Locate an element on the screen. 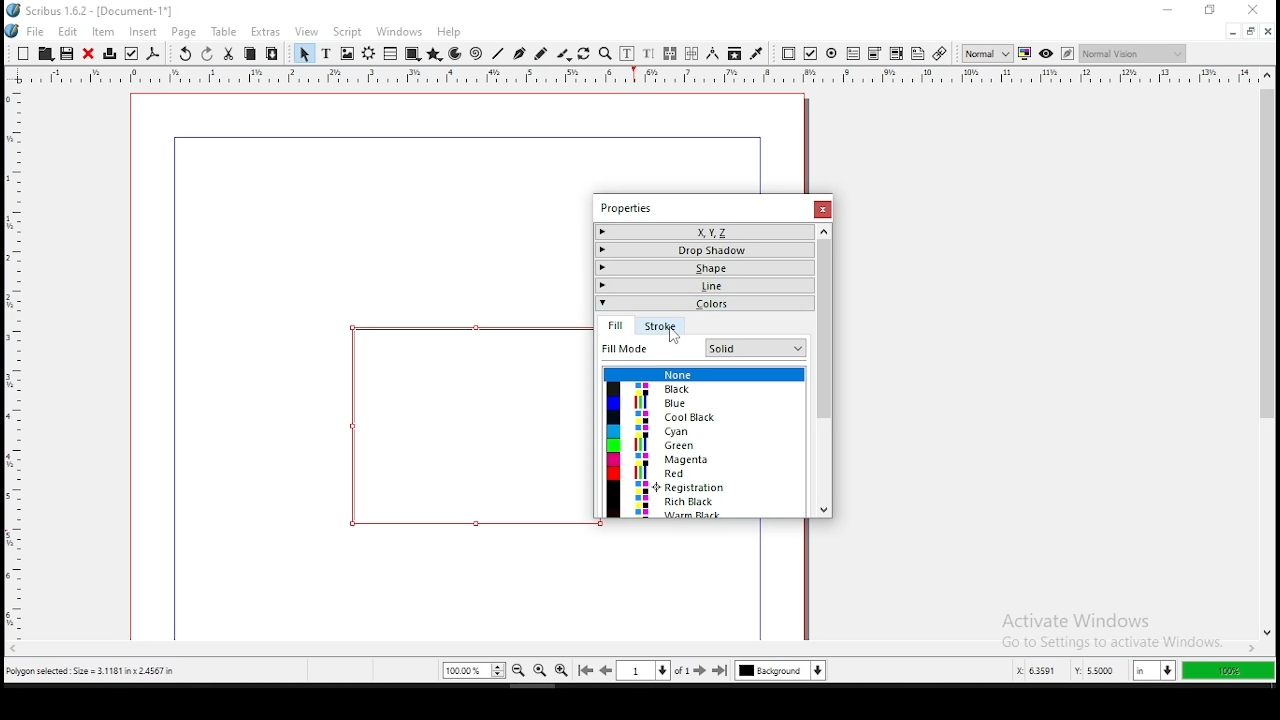 The height and width of the screenshot is (720, 1280). windows is located at coordinates (399, 32).